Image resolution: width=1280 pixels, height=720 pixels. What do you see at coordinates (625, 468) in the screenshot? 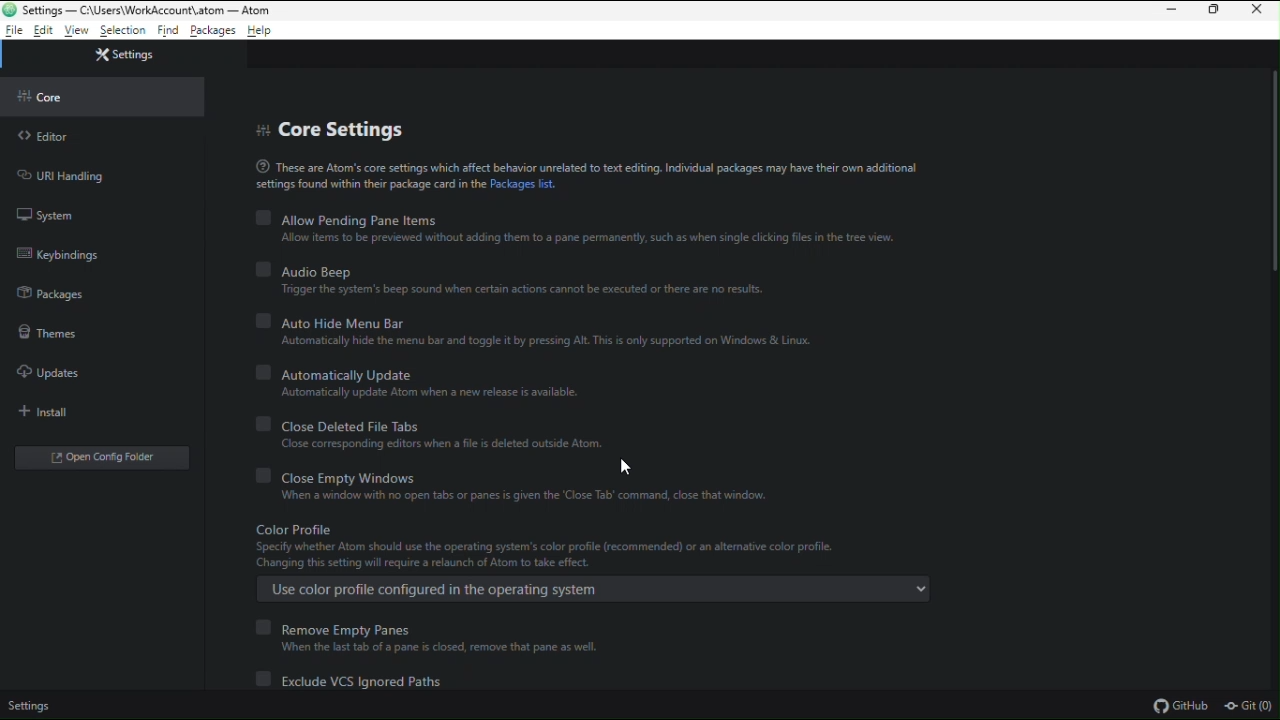
I see `cursor` at bounding box center [625, 468].